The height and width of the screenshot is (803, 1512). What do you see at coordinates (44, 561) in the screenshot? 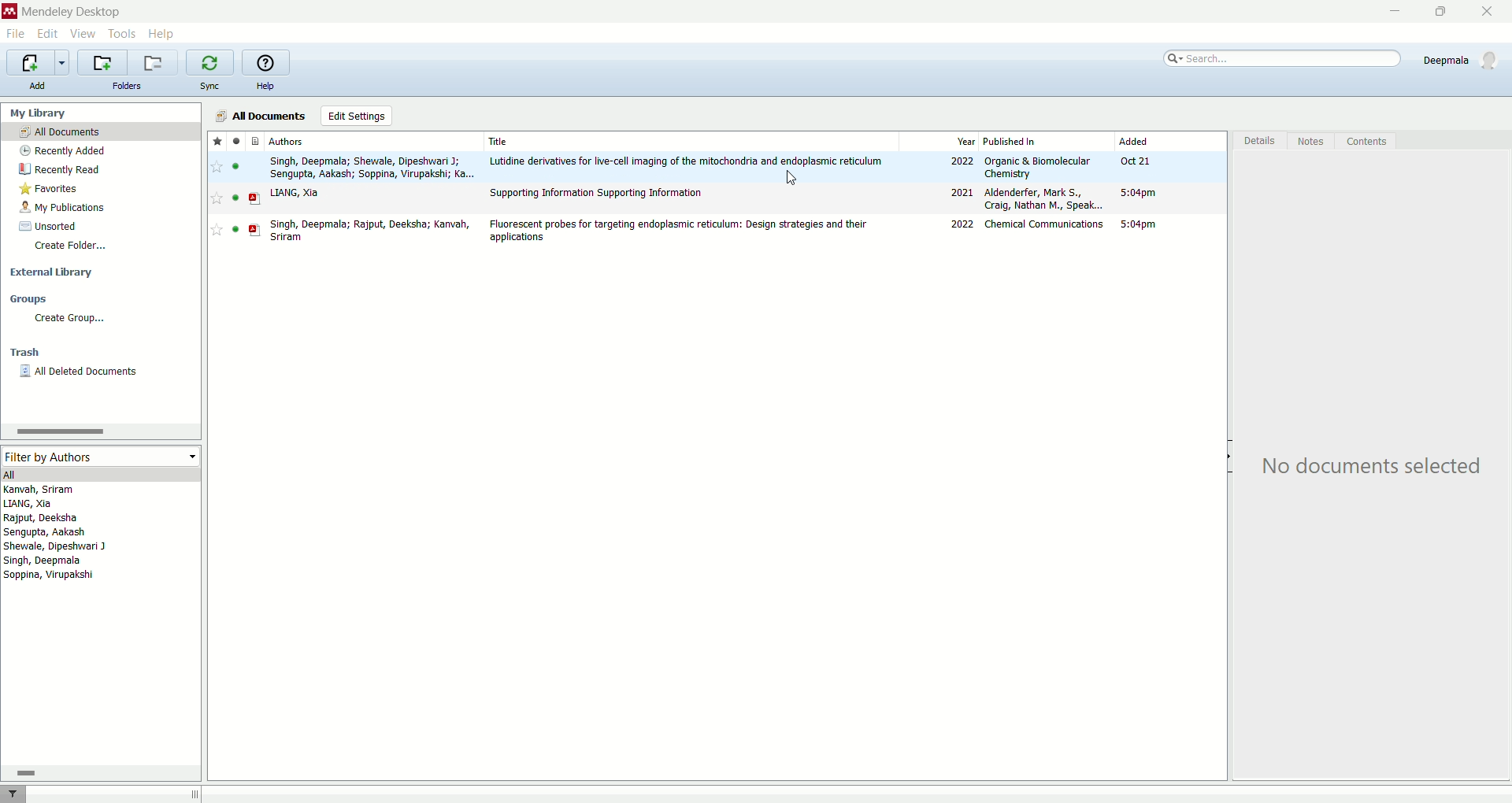
I see `singh, deepmala` at bounding box center [44, 561].